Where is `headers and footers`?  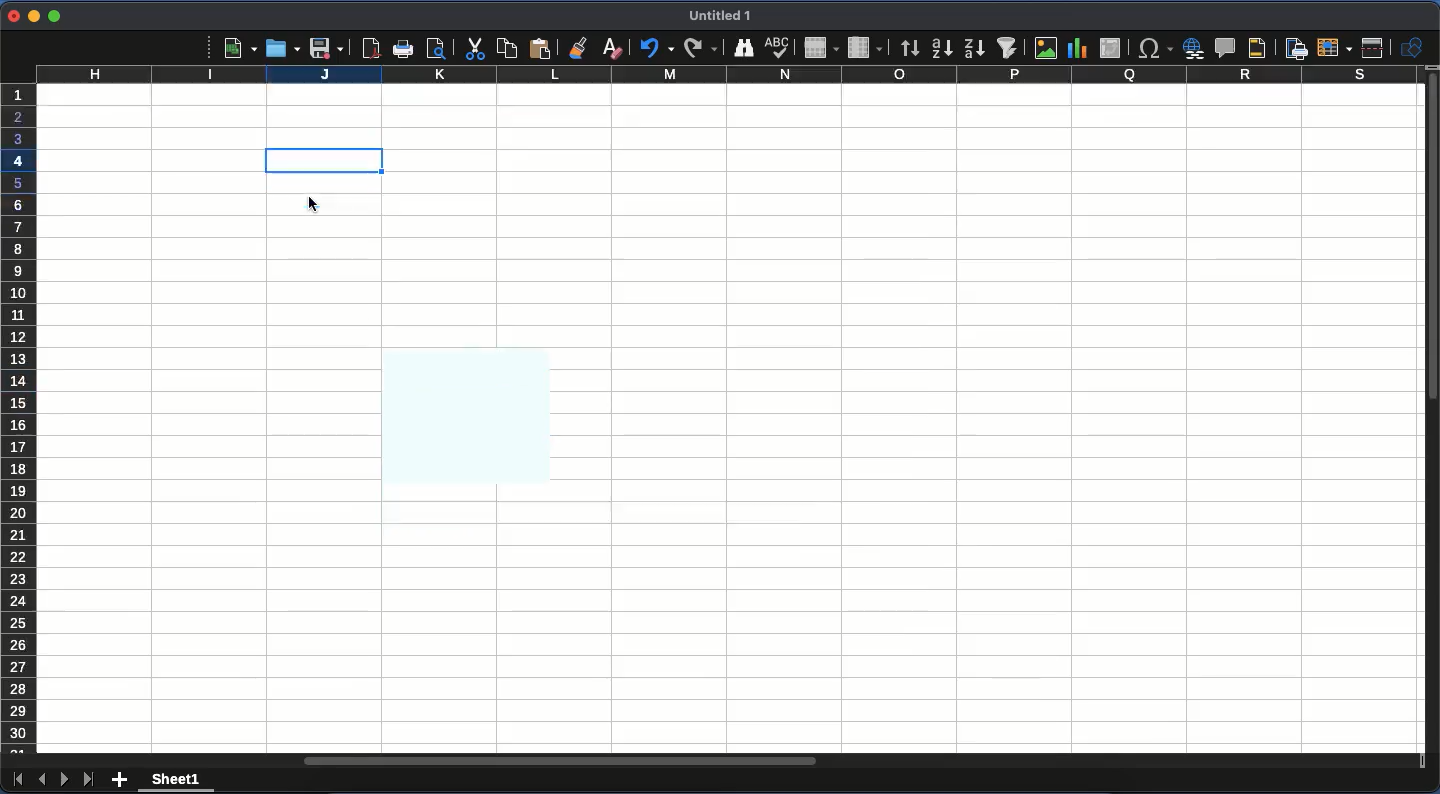
headers and footers is located at coordinates (1263, 47).